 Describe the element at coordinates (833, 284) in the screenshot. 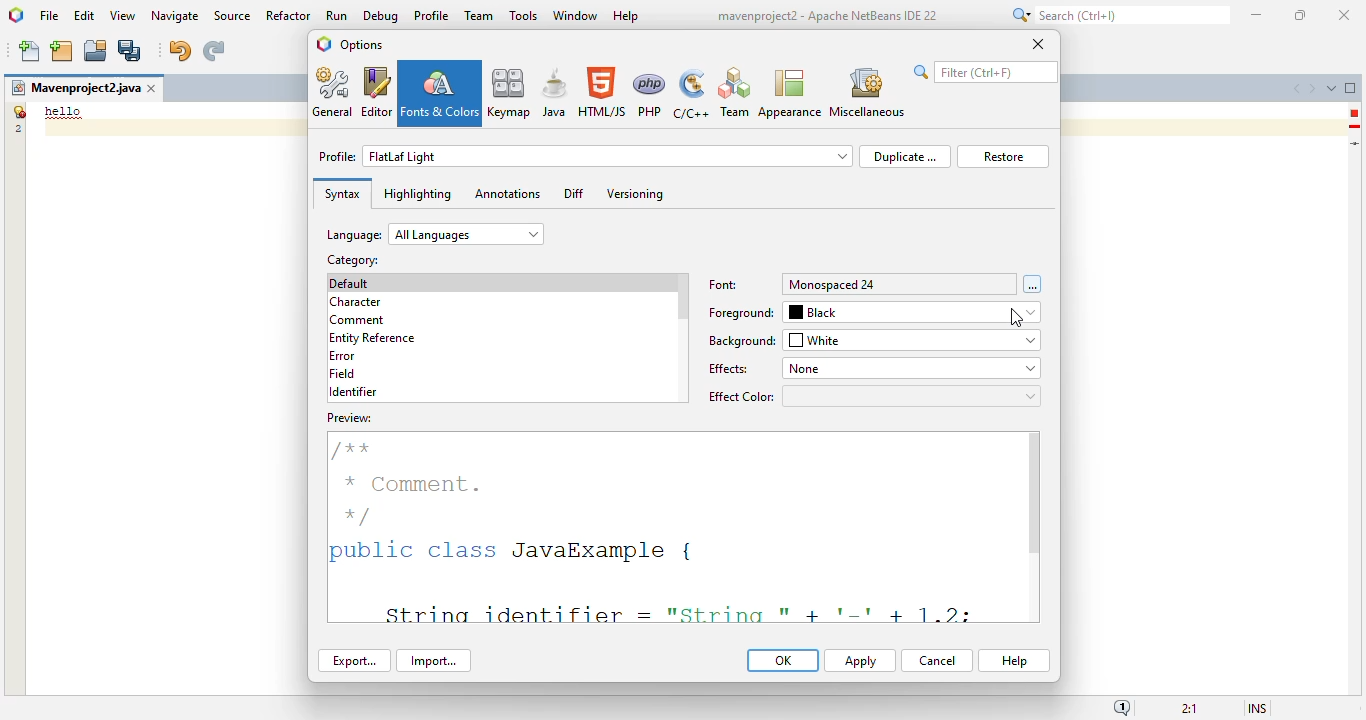

I see `Monospaced 24` at that location.